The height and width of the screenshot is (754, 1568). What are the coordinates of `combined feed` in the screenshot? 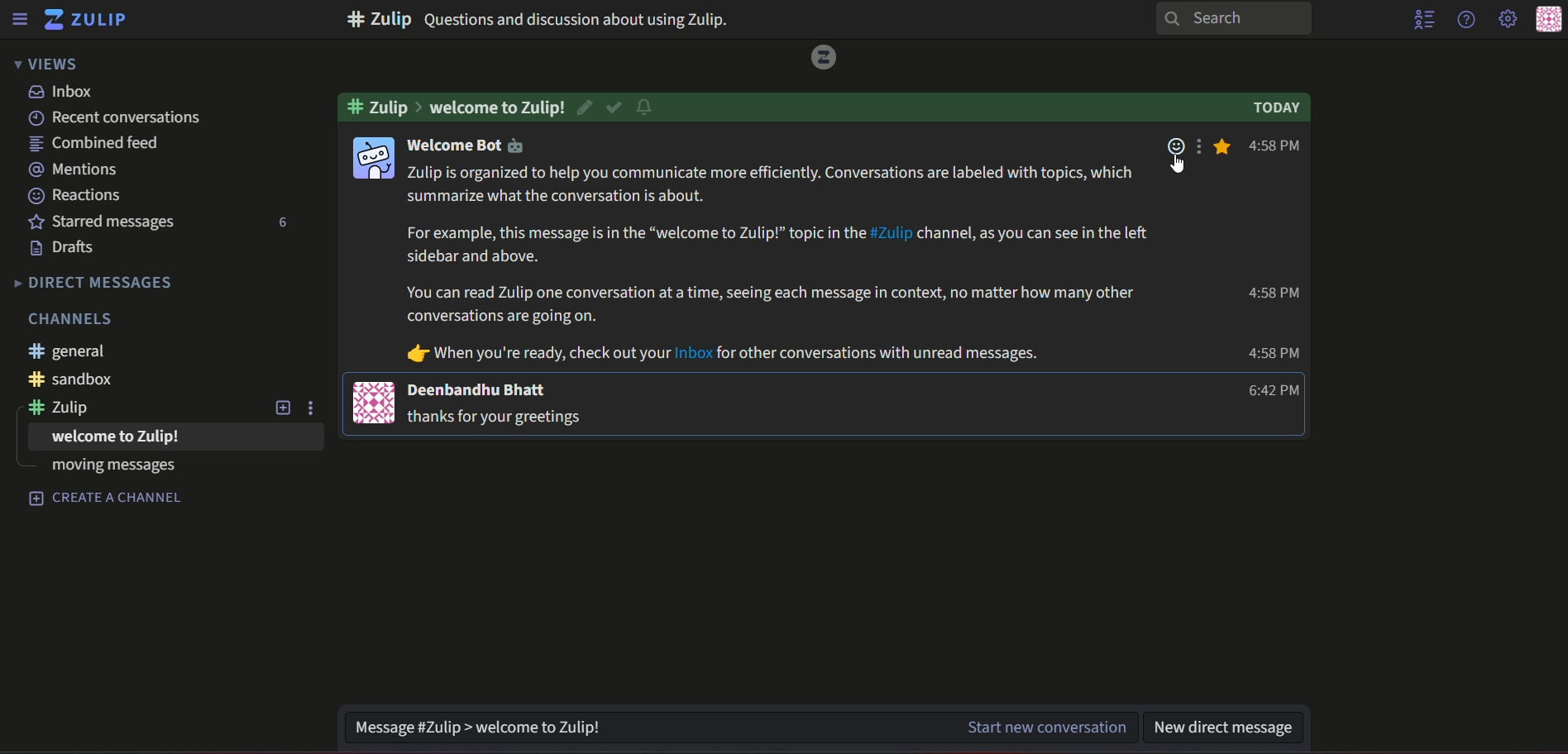 It's located at (95, 143).